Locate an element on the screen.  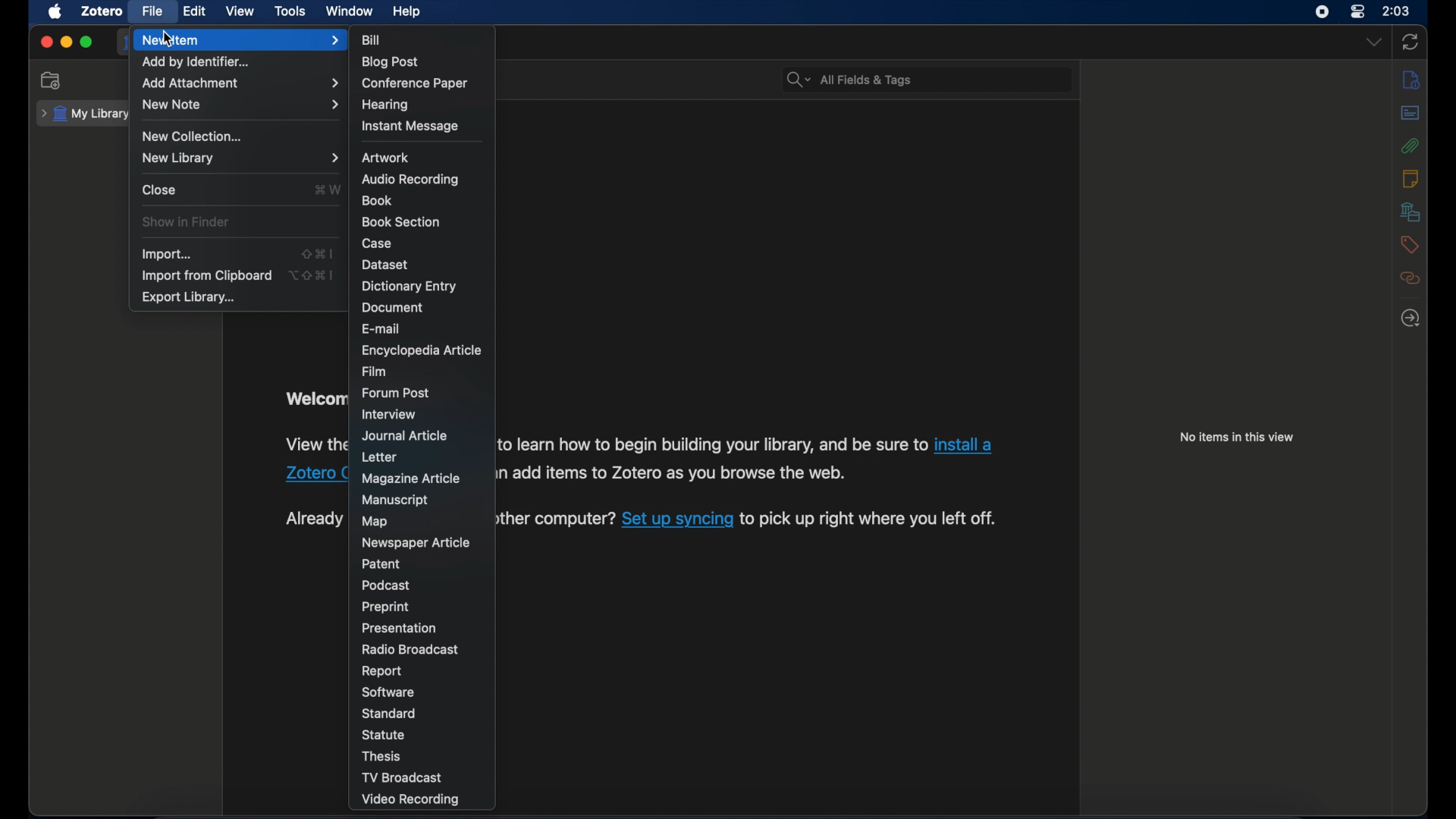
 is located at coordinates (300, 475).